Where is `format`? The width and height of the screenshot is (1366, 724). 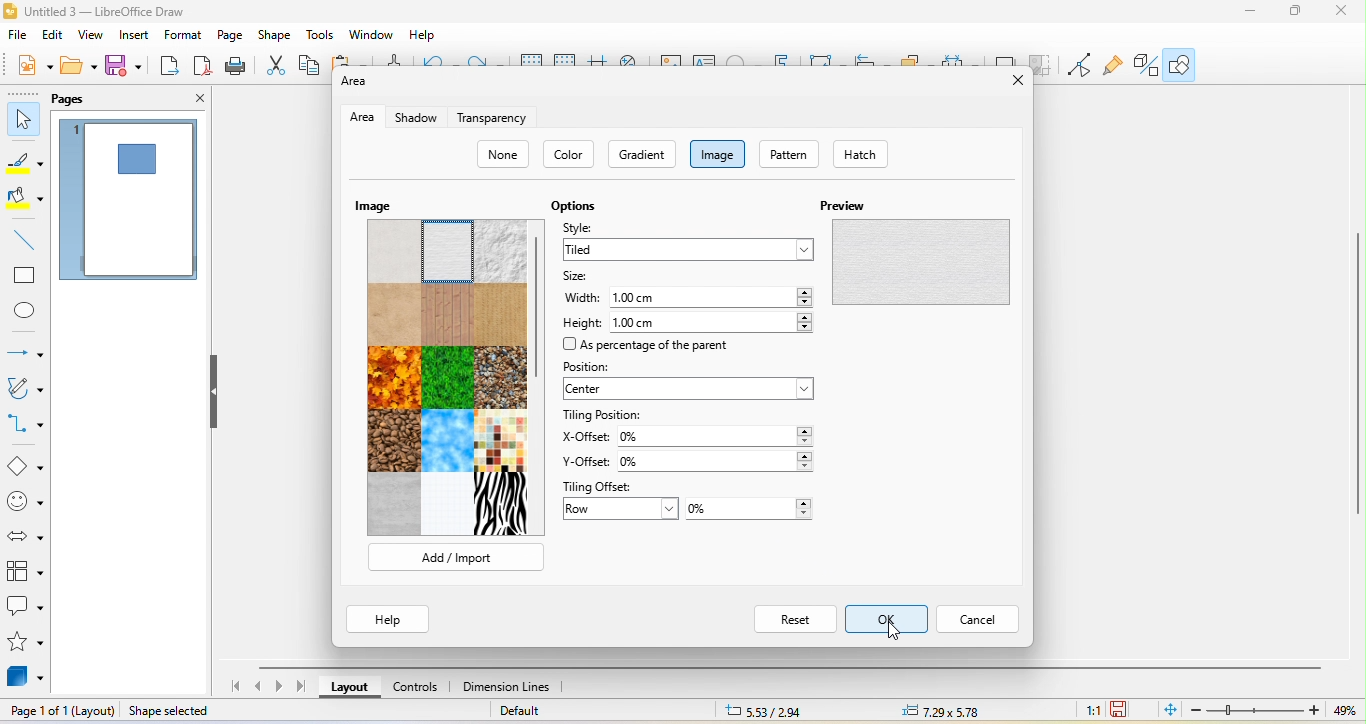 format is located at coordinates (183, 34).